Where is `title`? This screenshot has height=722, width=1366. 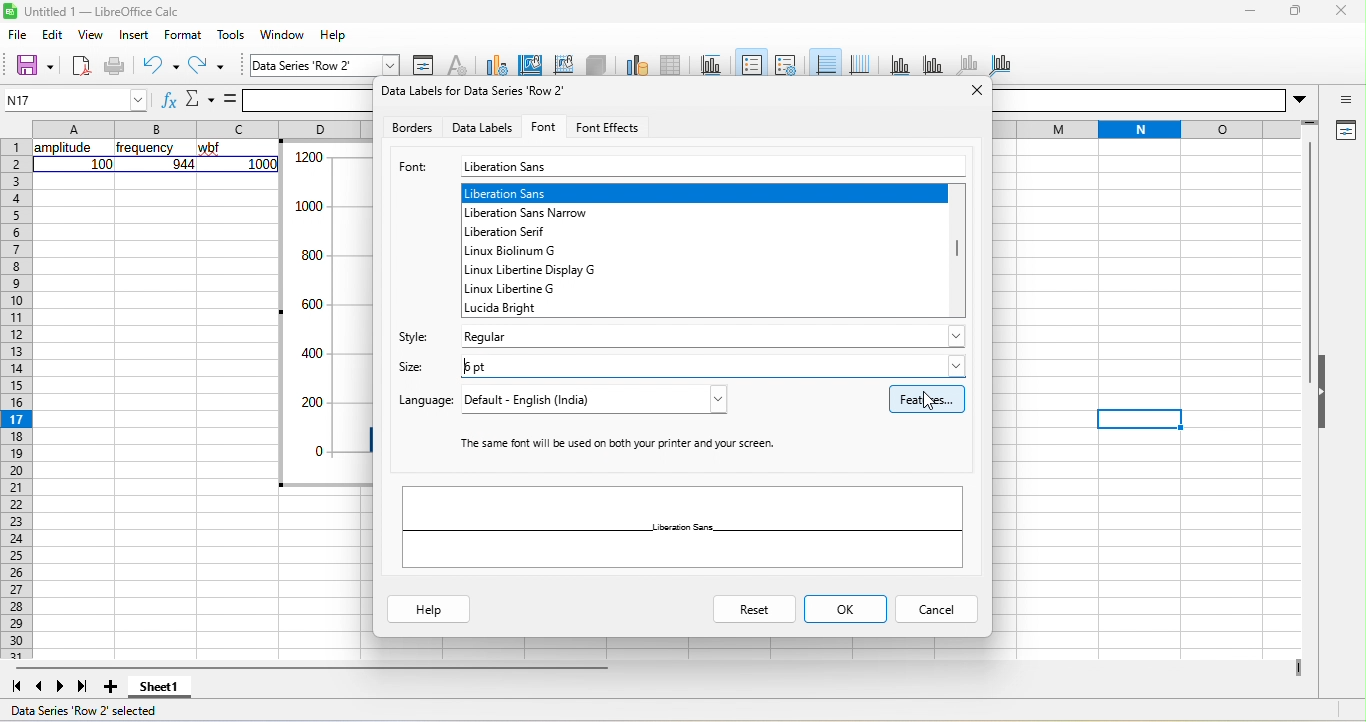 title is located at coordinates (711, 64).